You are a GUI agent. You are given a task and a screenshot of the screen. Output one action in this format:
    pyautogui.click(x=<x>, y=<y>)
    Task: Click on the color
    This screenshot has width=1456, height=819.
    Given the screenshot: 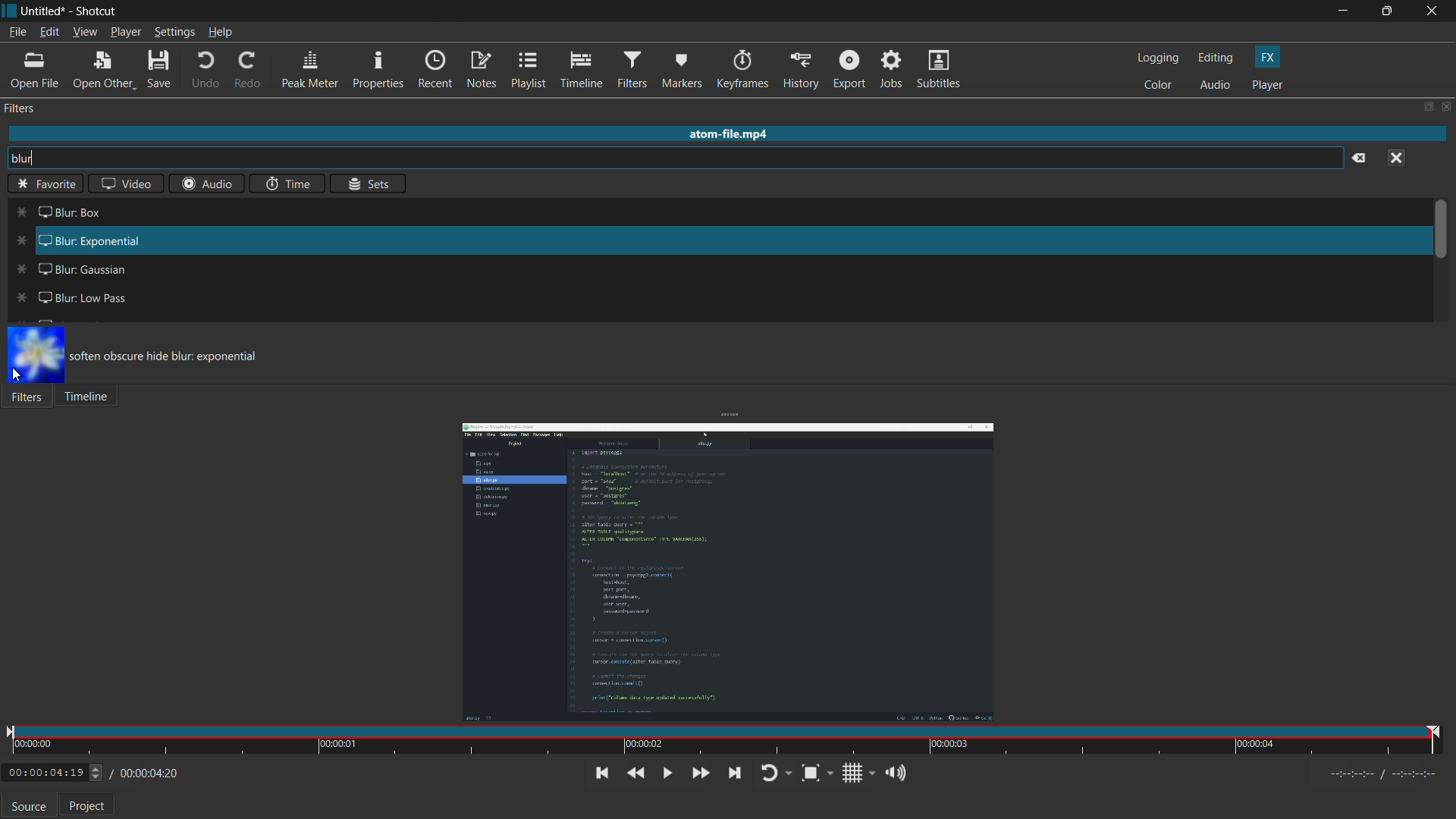 What is the action you would take?
    pyautogui.click(x=1159, y=86)
    